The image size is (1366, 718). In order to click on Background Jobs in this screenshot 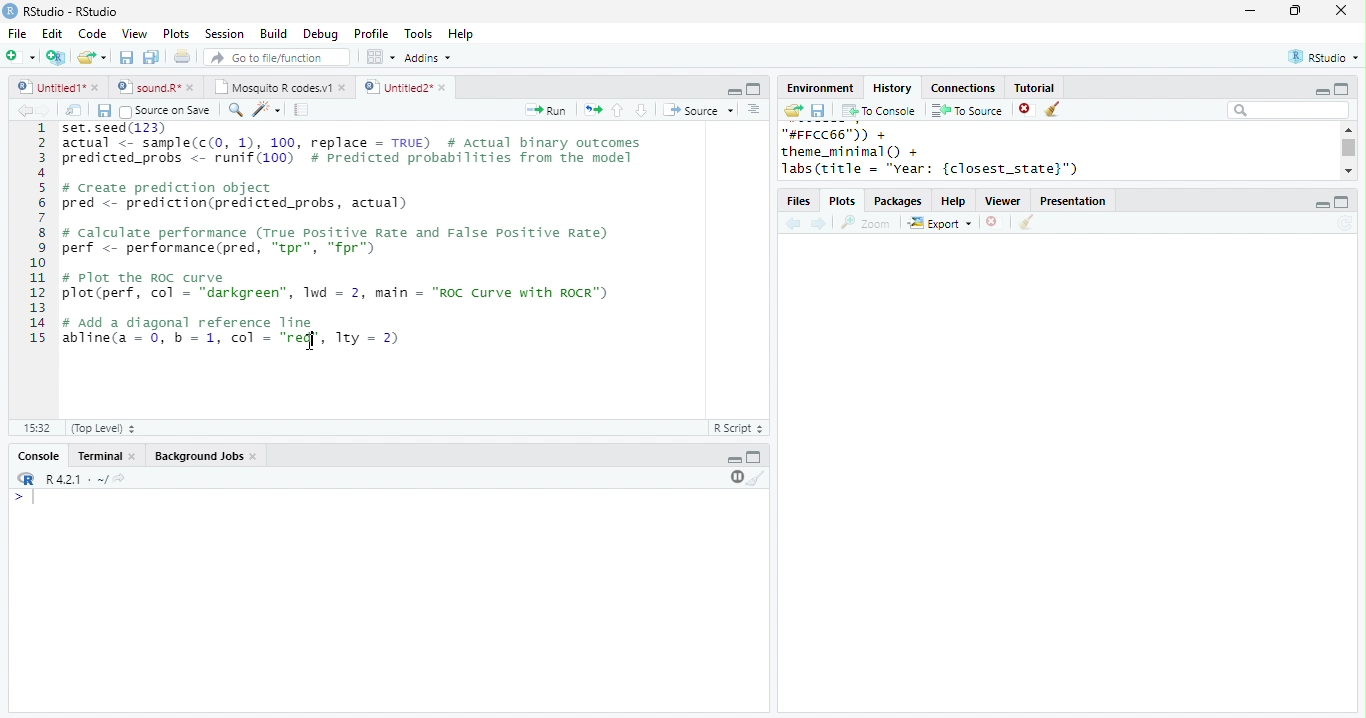, I will do `click(198, 456)`.